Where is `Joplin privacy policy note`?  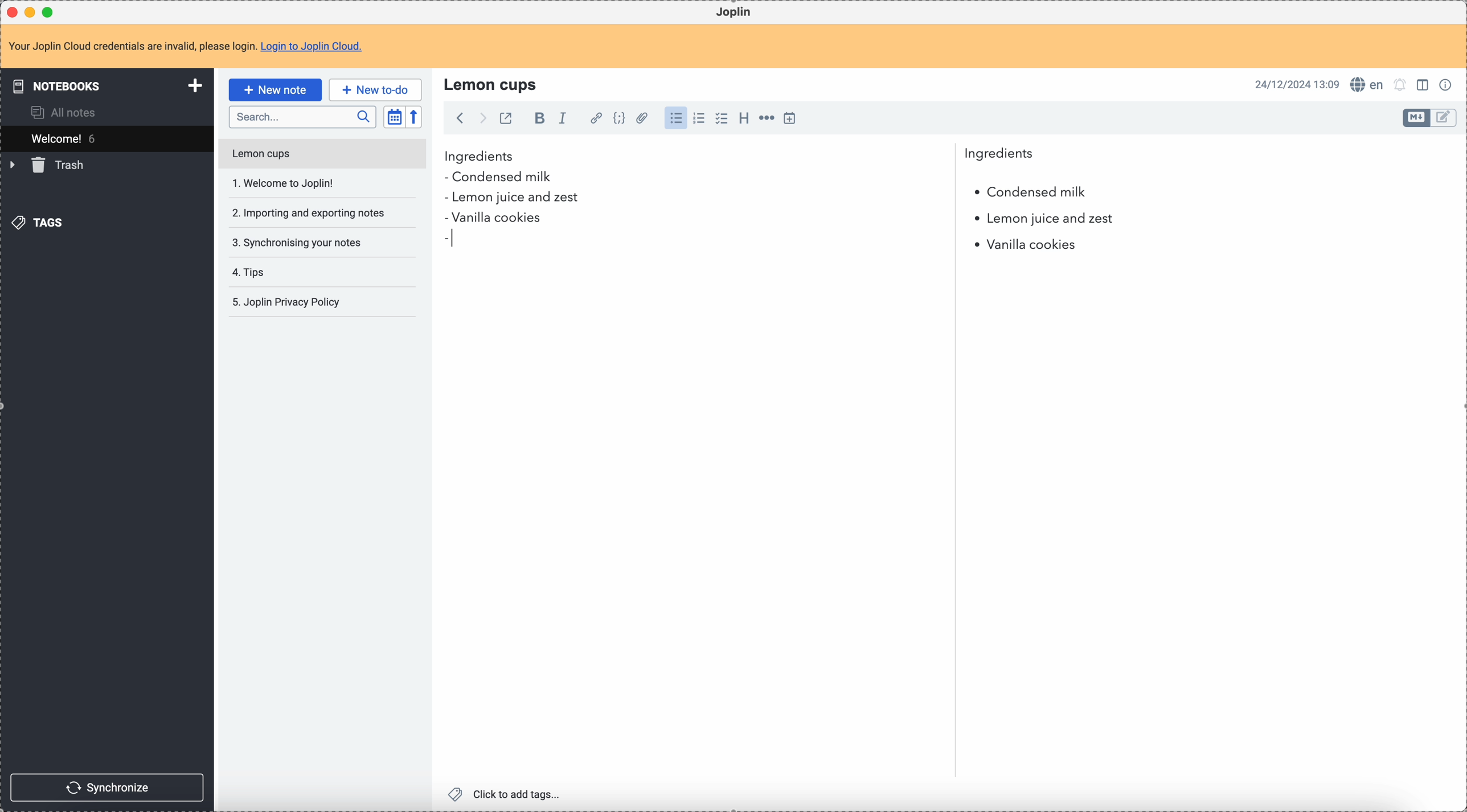 Joplin privacy policy note is located at coordinates (289, 302).